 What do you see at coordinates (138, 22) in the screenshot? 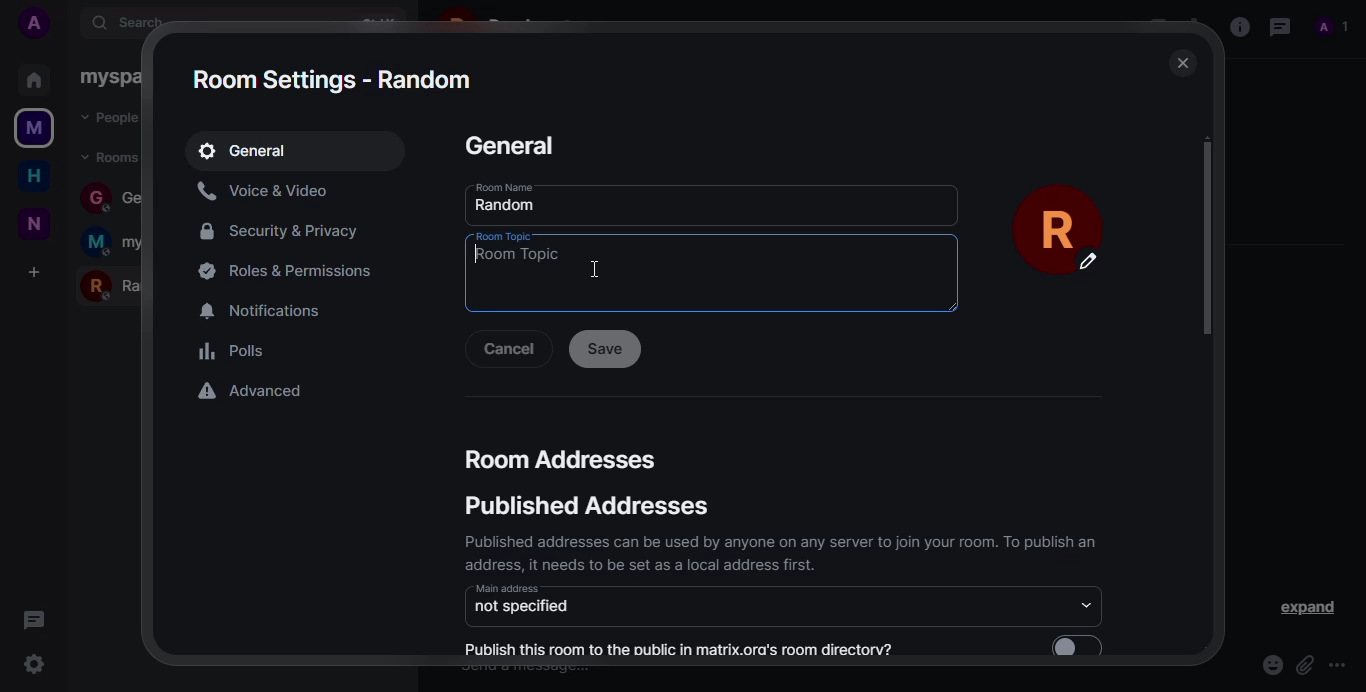
I see `search` at bounding box center [138, 22].